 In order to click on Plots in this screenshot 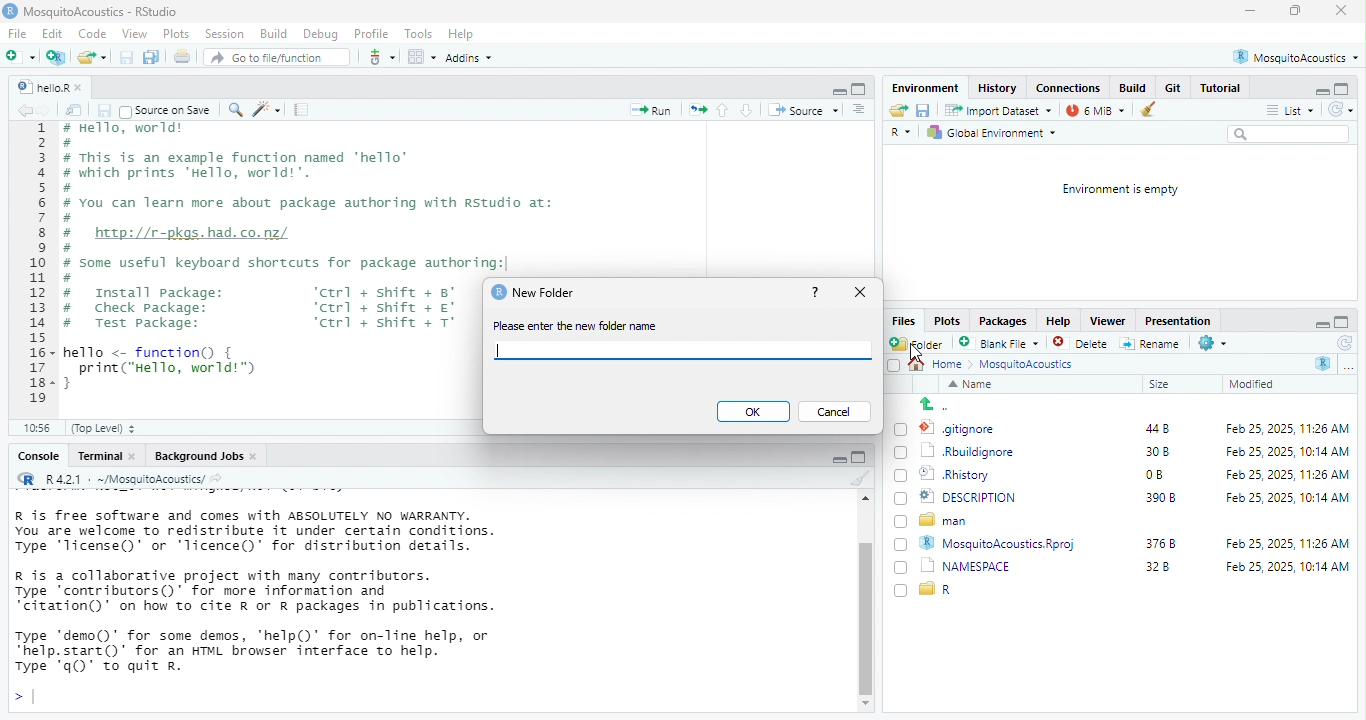, I will do `click(175, 35)`.